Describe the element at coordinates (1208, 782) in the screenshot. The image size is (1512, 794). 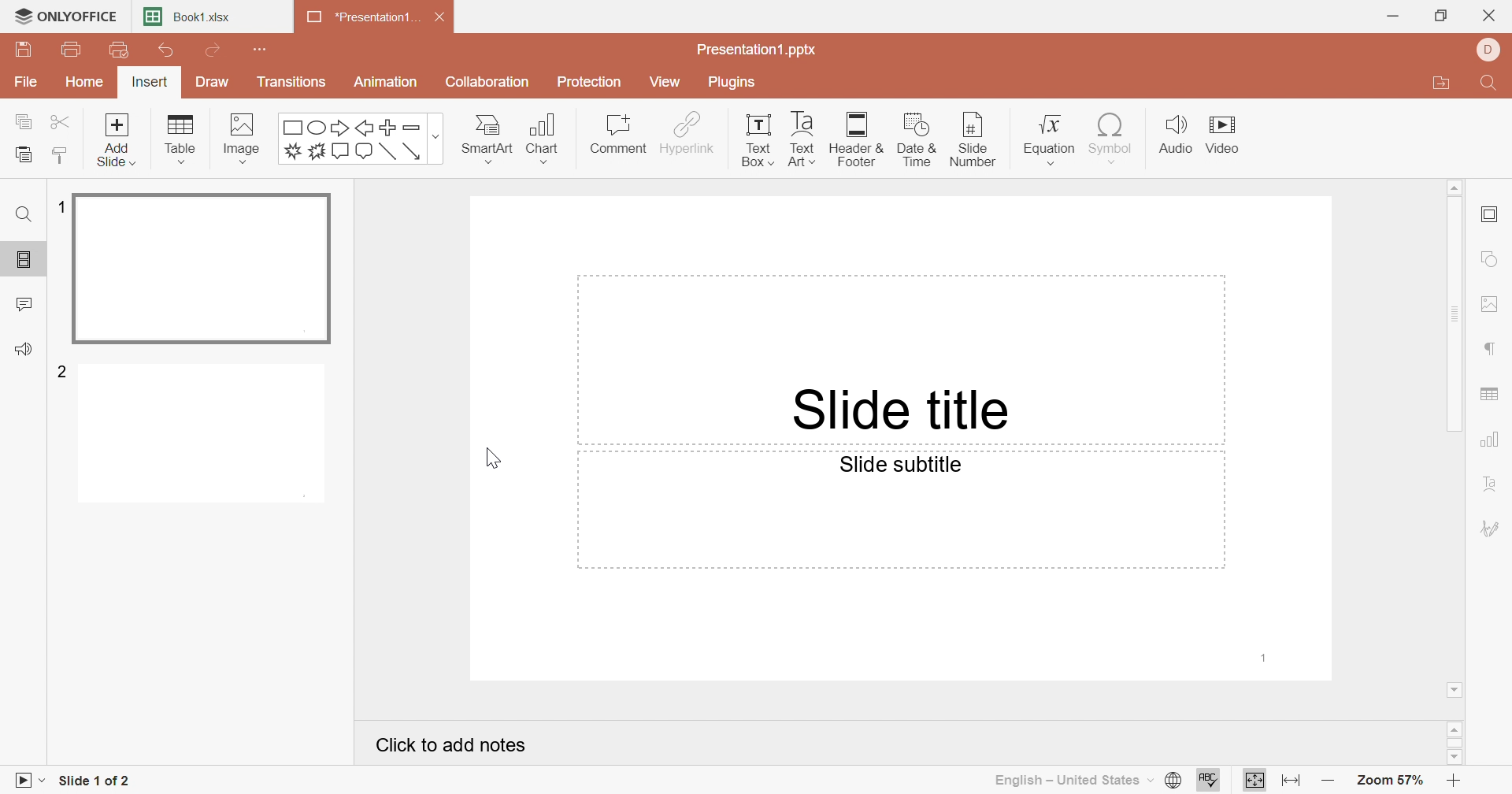
I see `Check spelling` at that location.